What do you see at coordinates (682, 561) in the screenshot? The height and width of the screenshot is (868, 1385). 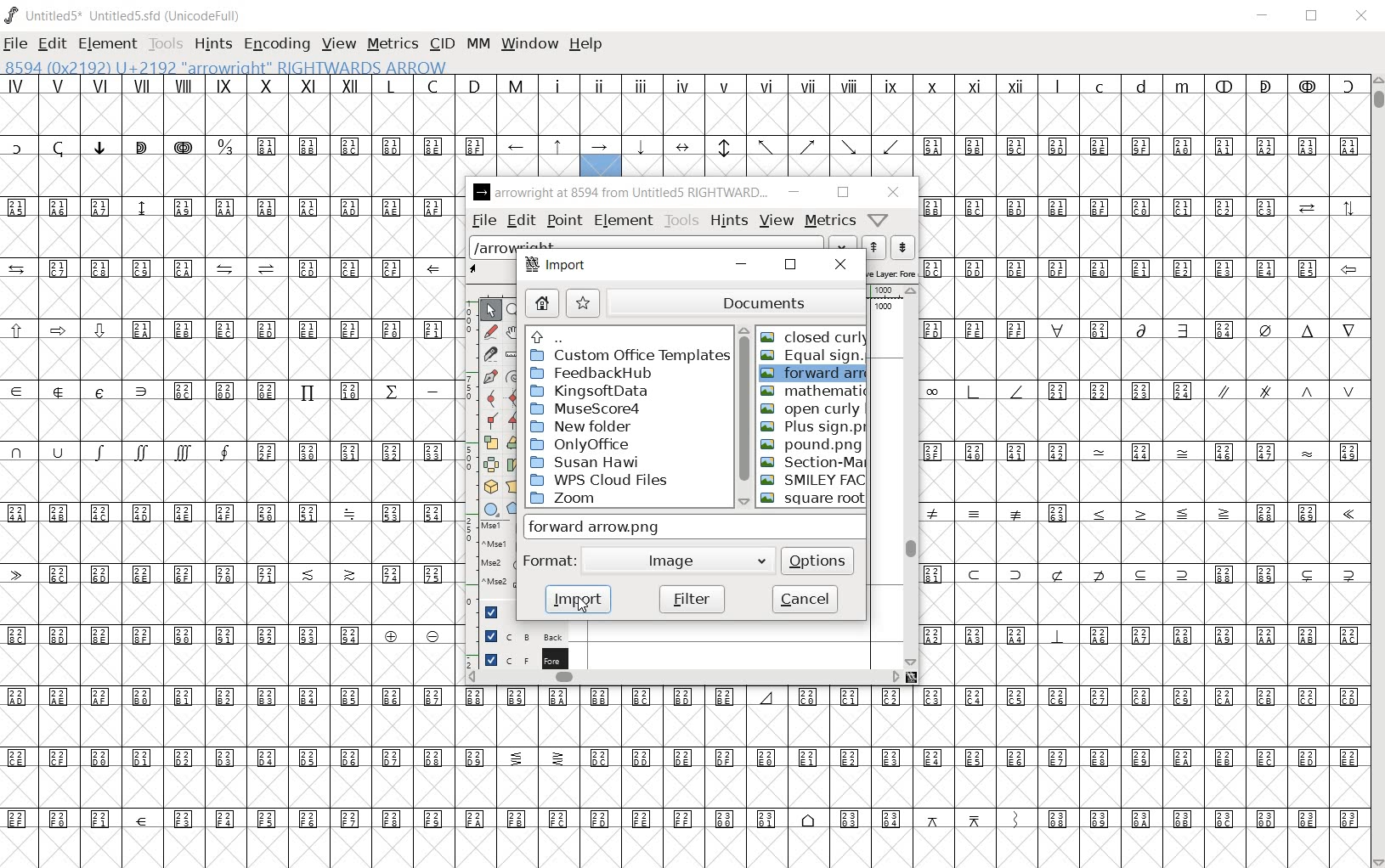 I see `Image` at bounding box center [682, 561].